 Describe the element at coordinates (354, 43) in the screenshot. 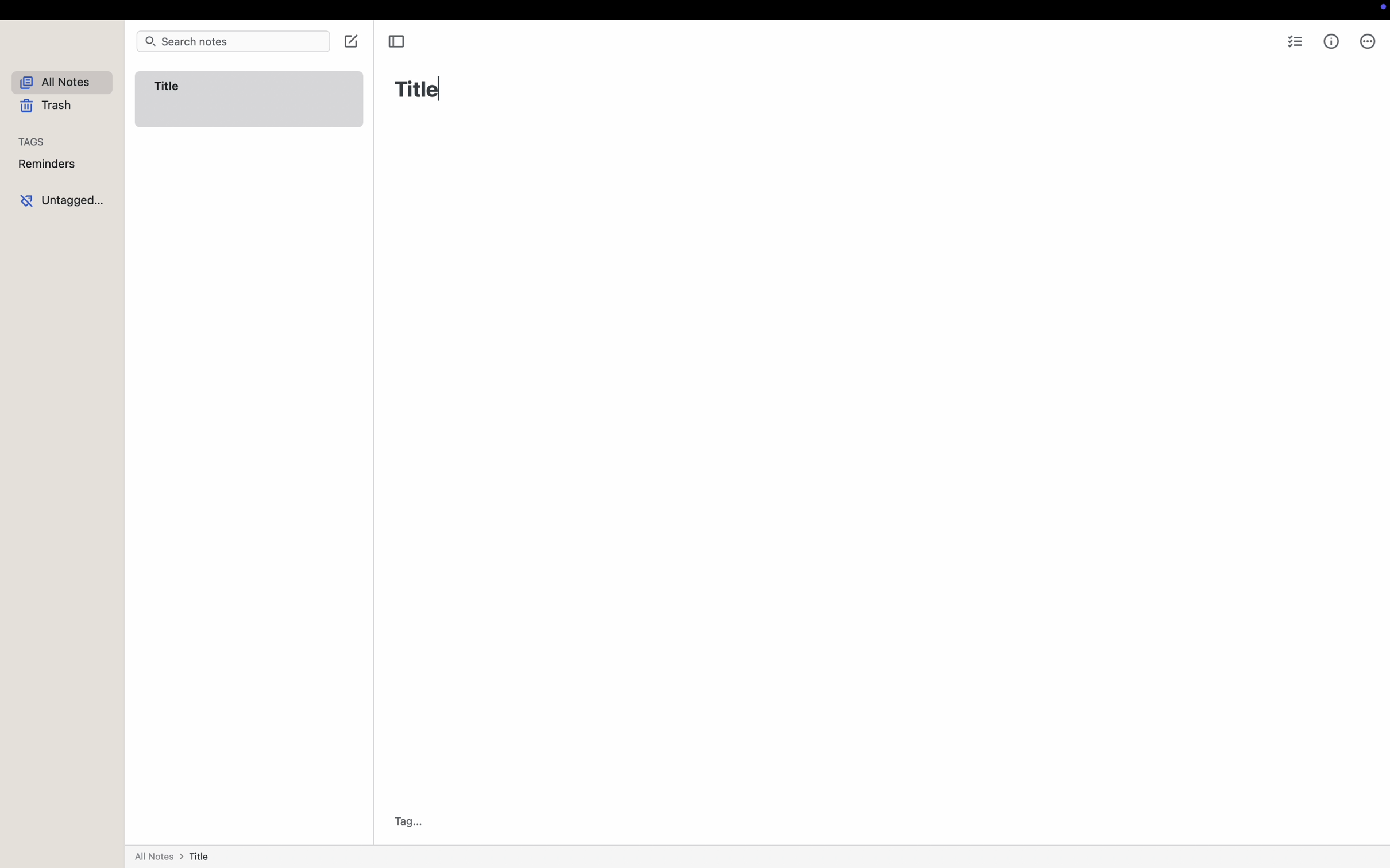

I see `click on create note` at that location.